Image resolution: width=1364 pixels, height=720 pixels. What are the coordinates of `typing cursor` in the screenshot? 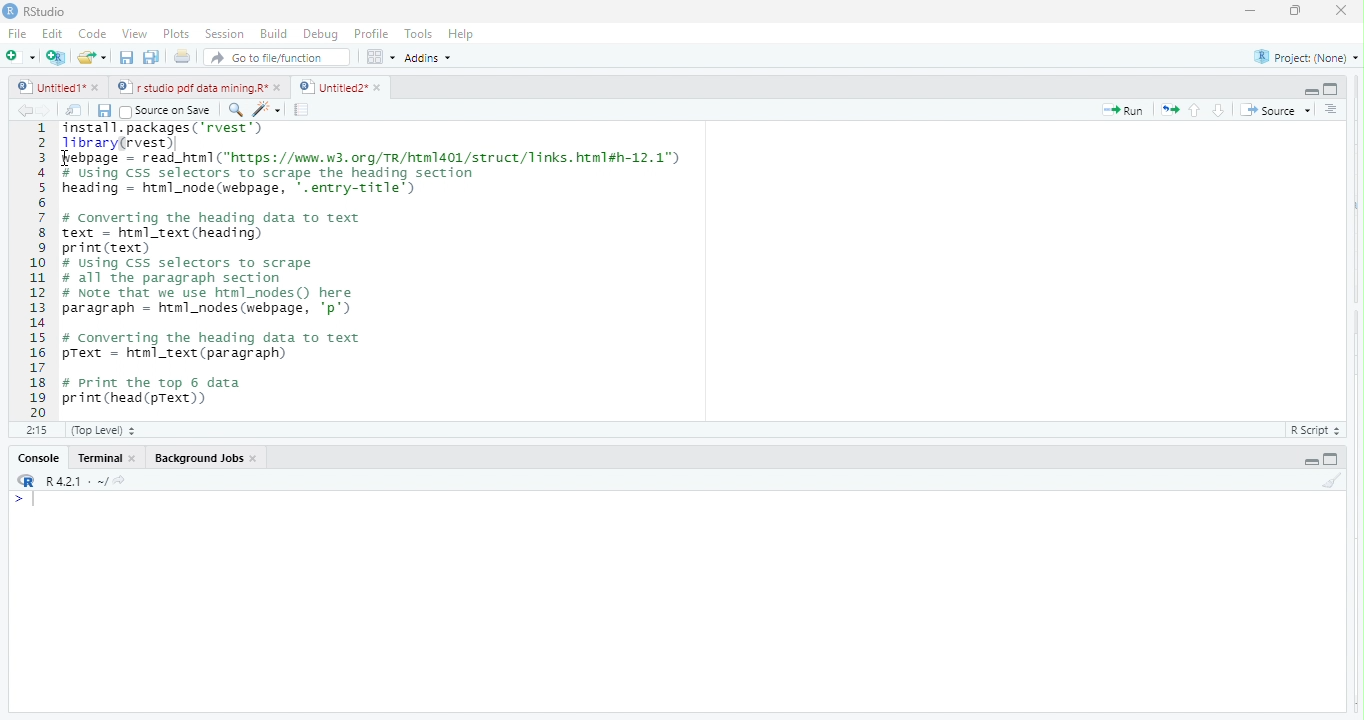 It's located at (29, 501).